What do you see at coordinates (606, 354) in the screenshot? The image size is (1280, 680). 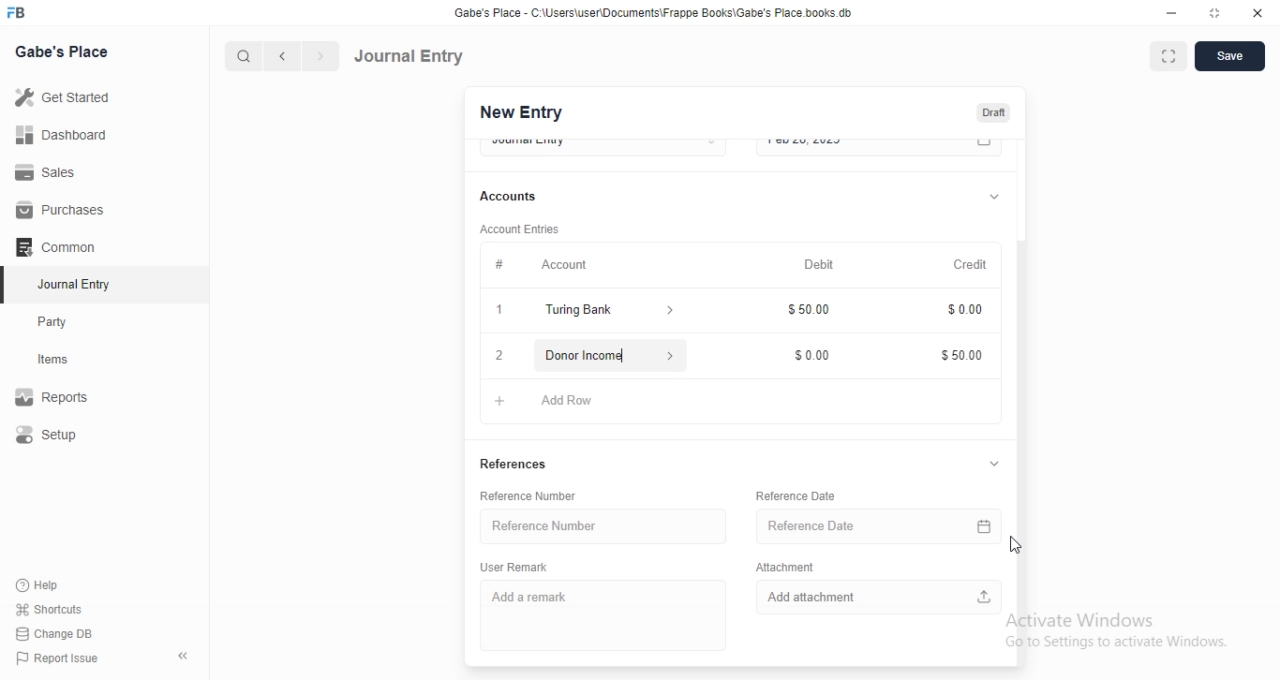 I see `donor income` at bounding box center [606, 354].